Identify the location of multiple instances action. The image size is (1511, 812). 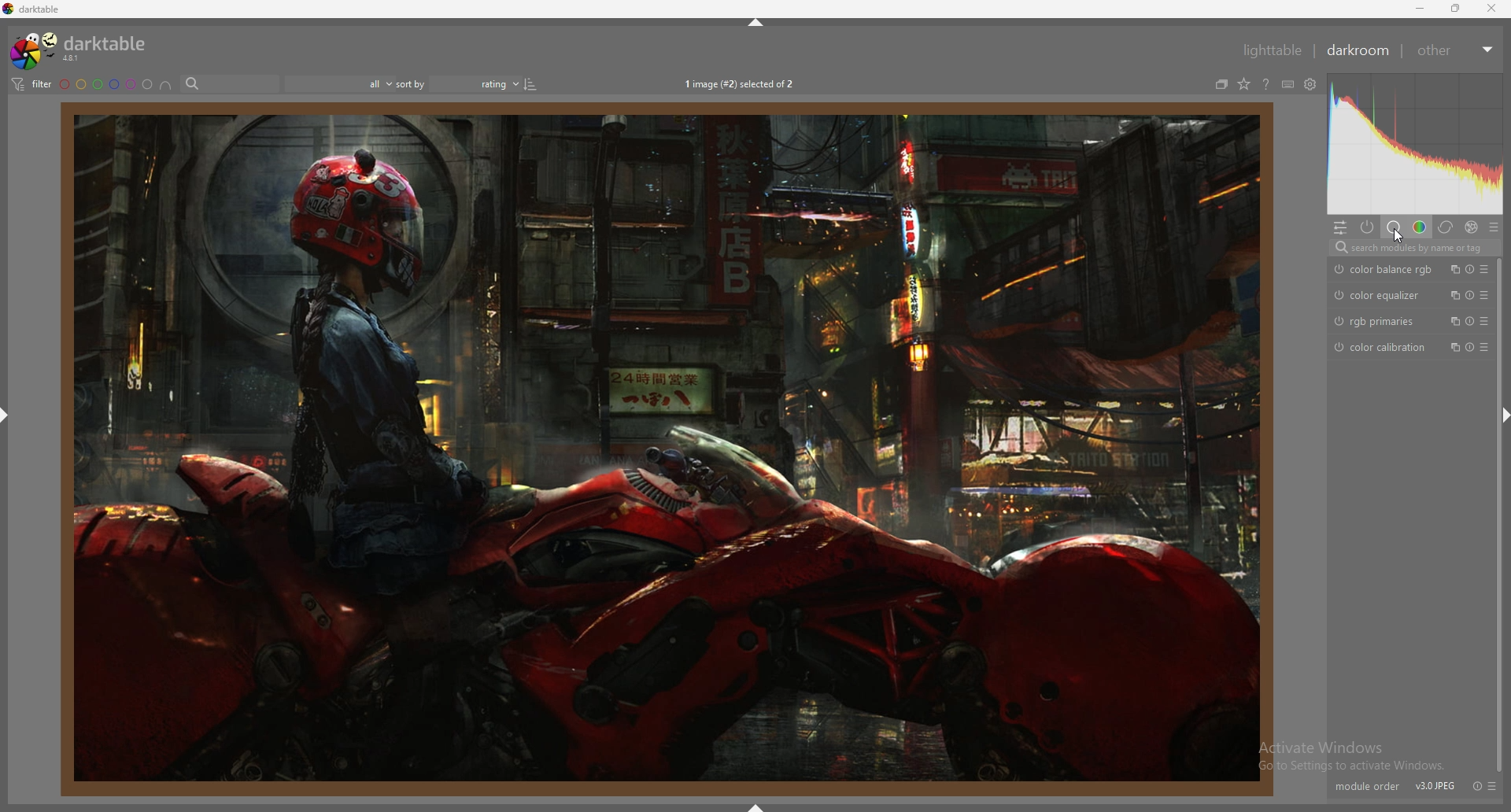
(1454, 295).